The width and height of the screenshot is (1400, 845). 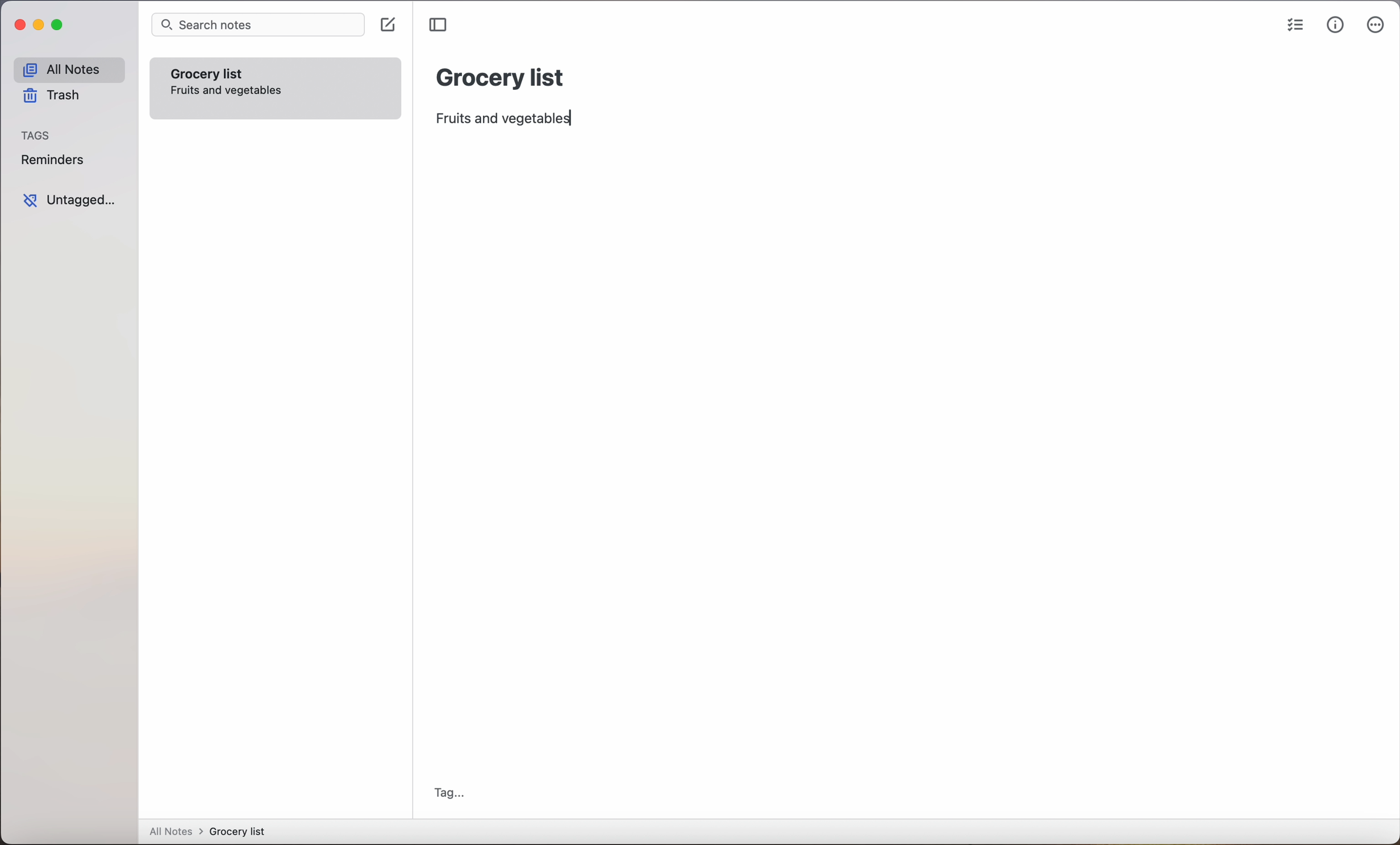 What do you see at coordinates (440, 25) in the screenshot?
I see `toggle sidebar` at bounding box center [440, 25].